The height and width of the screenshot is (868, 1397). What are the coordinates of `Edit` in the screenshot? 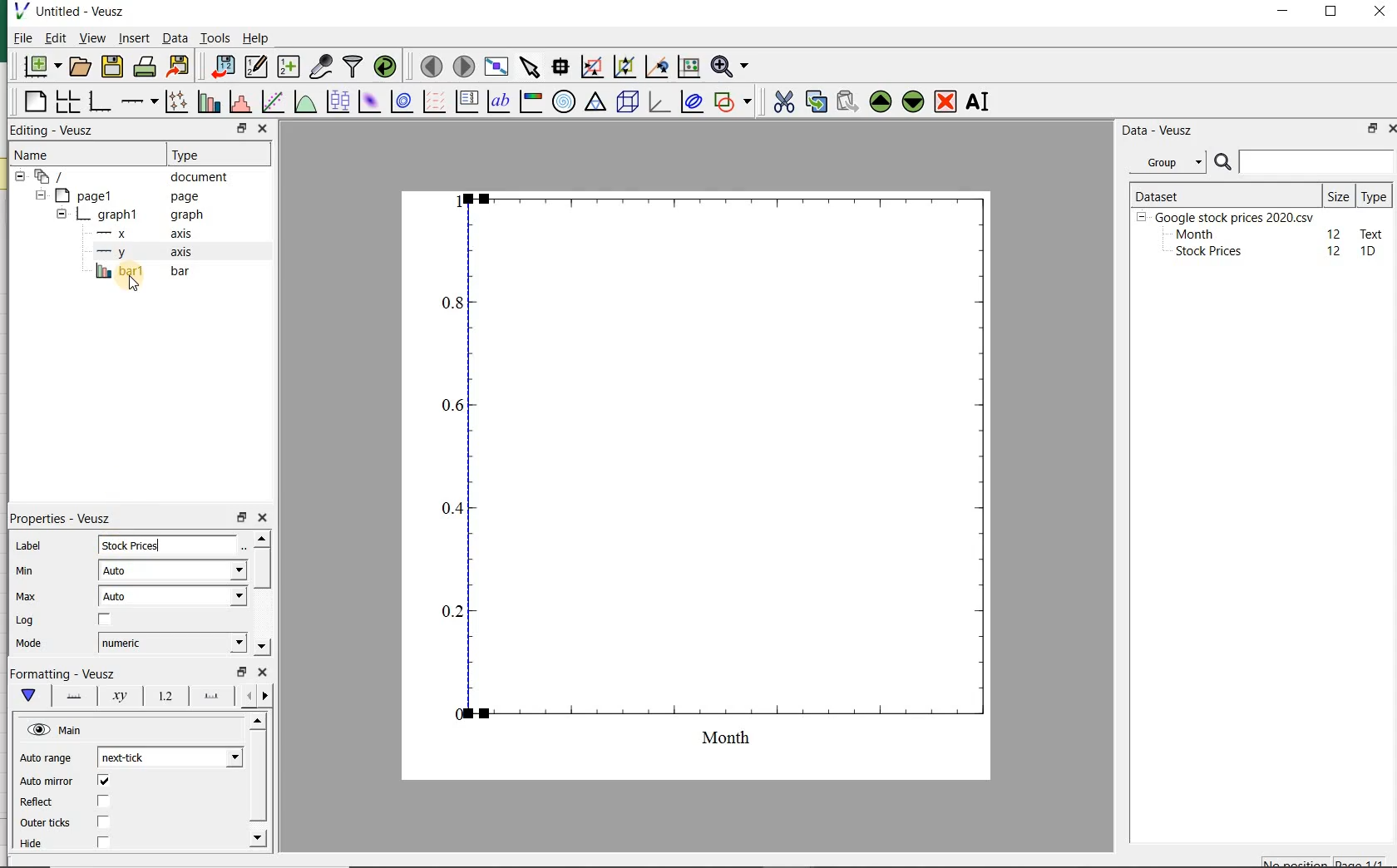 It's located at (54, 37).